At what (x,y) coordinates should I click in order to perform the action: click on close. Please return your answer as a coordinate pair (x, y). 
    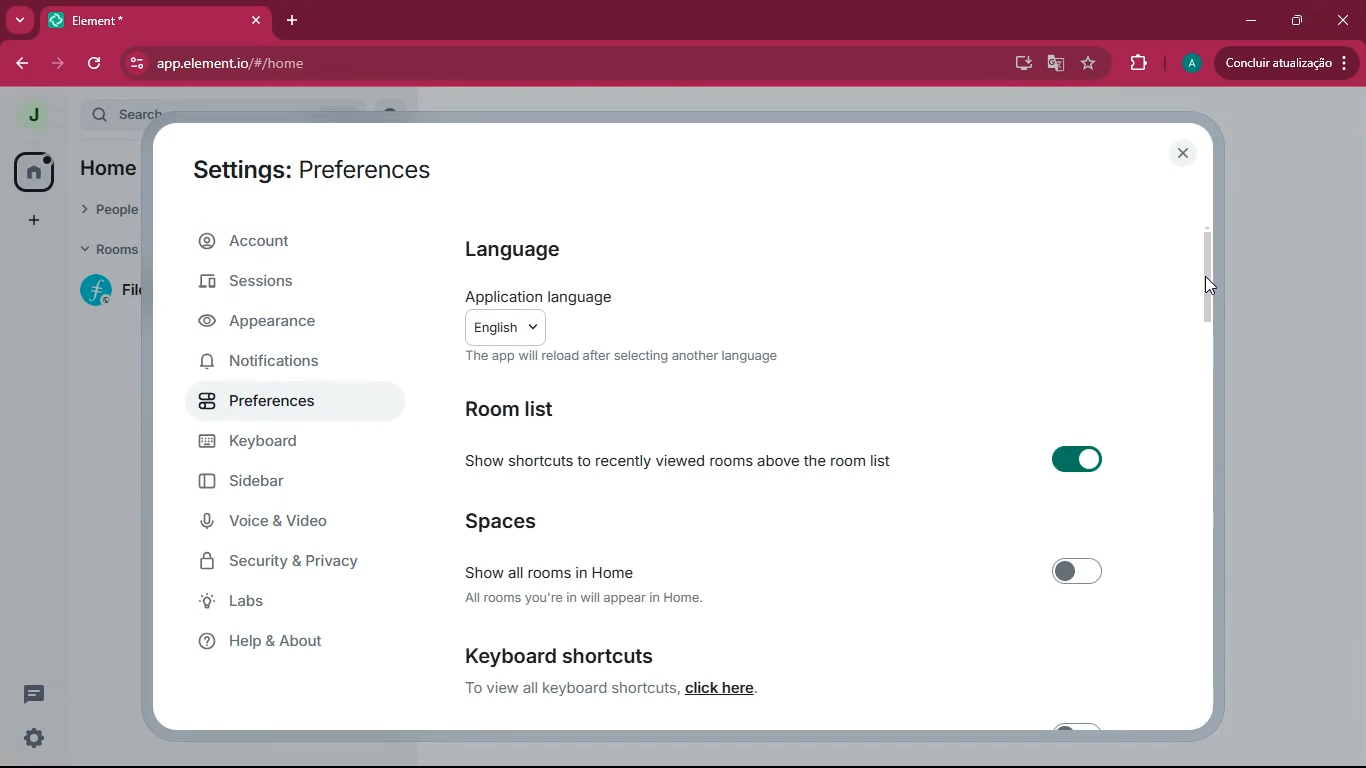
    Looking at the image, I should click on (1182, 151).